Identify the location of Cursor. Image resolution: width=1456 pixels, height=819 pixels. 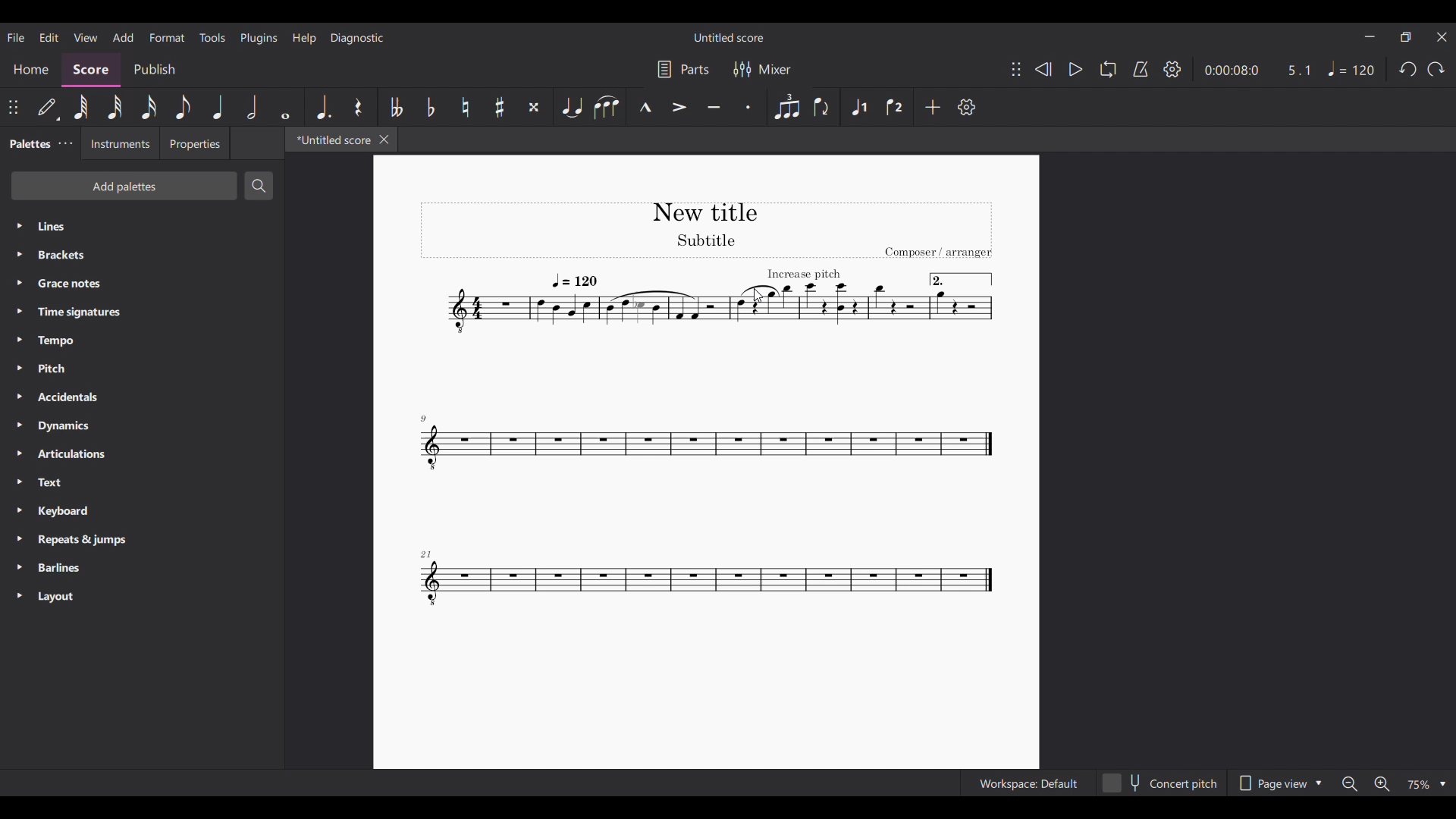
(758, 295).